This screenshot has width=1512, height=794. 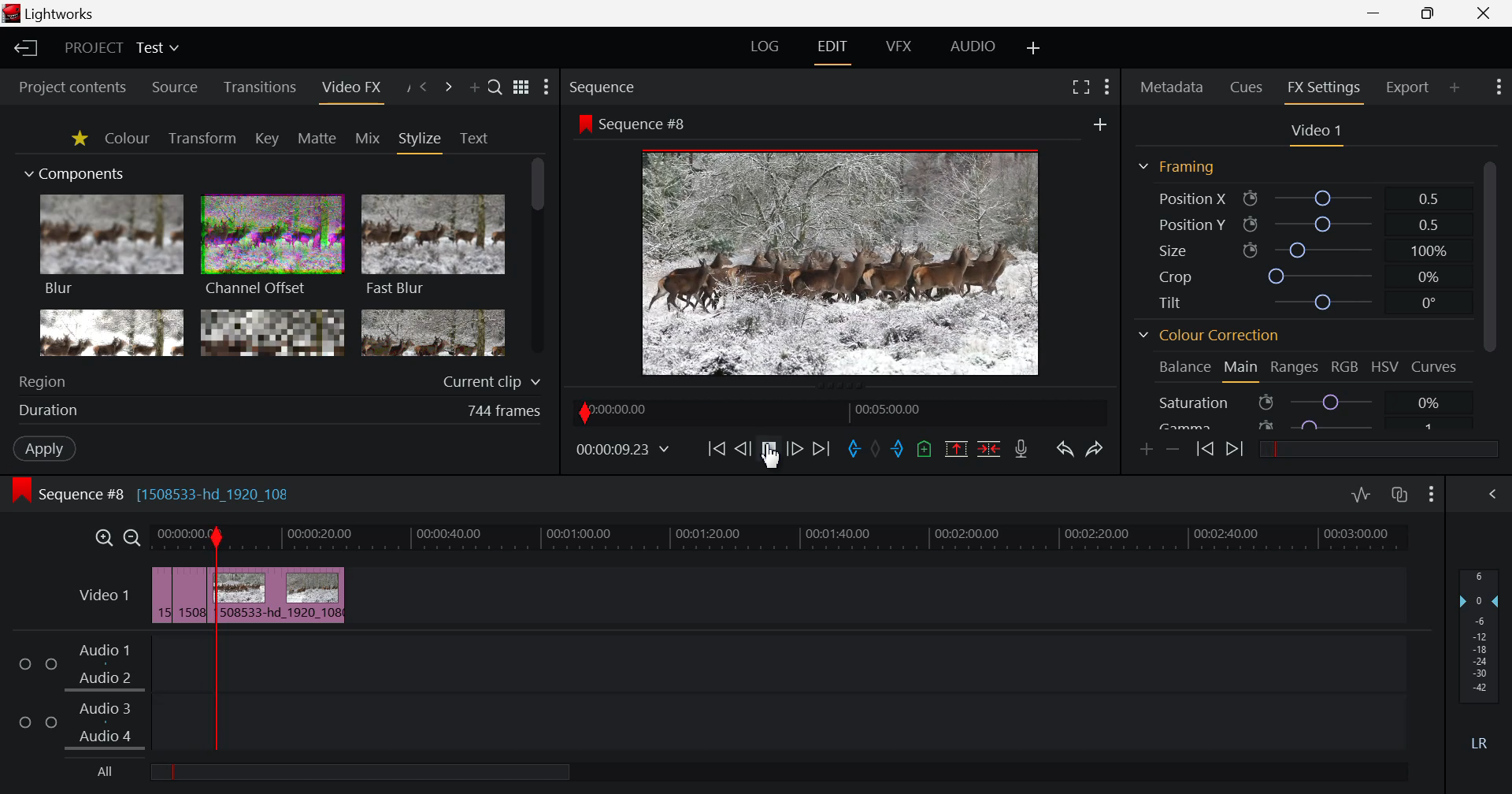 What do you see at coordinates (496, 88) in the screenshot?
I see `Search` at bounding box center [496, 88].